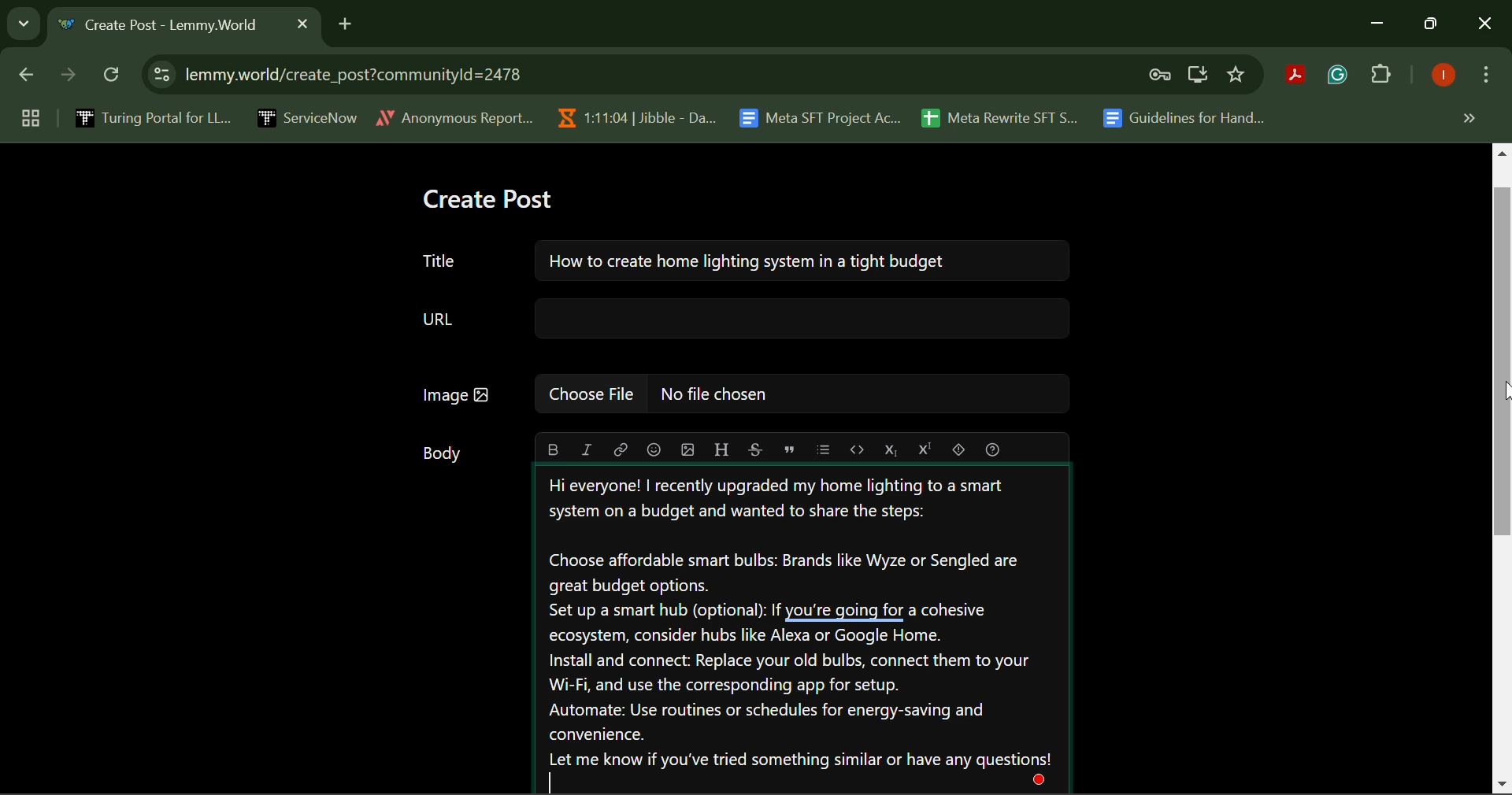 Image resolution: width=1512 pixels, height=795 pixels. I want to click on Browser Extension, so click(1341, 76).